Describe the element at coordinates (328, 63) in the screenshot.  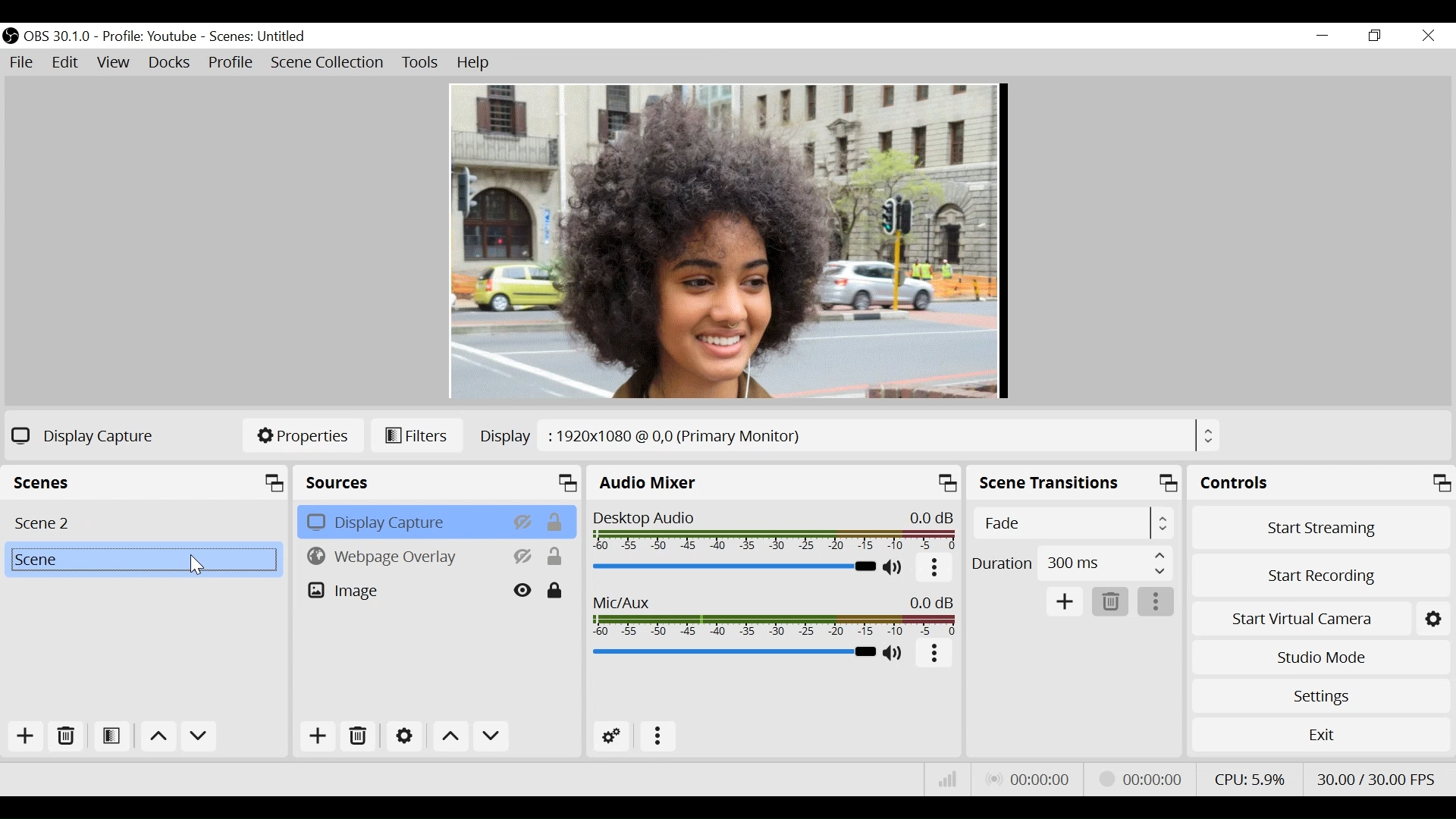
I see `Scene Collection` at that location.